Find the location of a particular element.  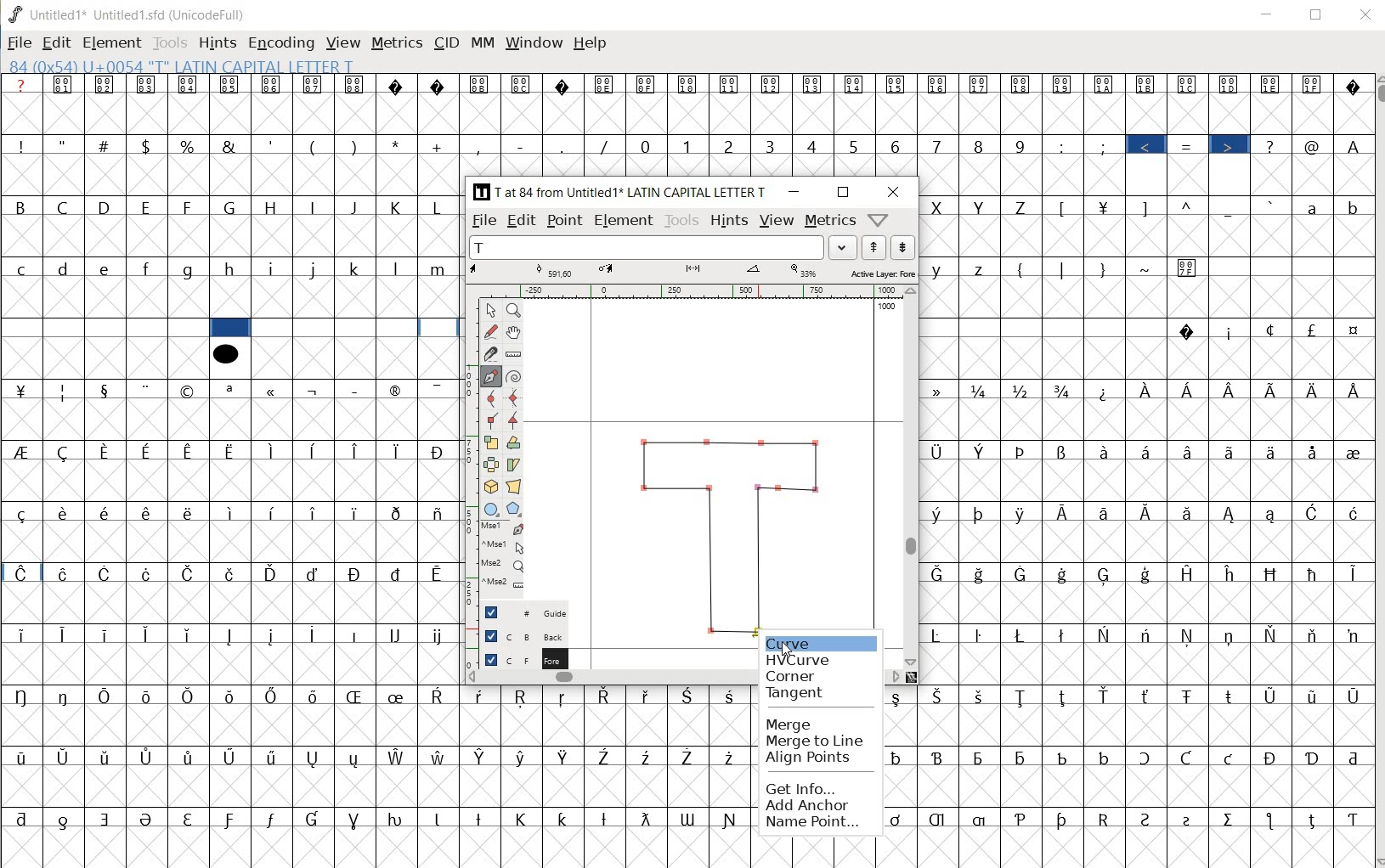

Symbol is located at coordinates (1025, 757).